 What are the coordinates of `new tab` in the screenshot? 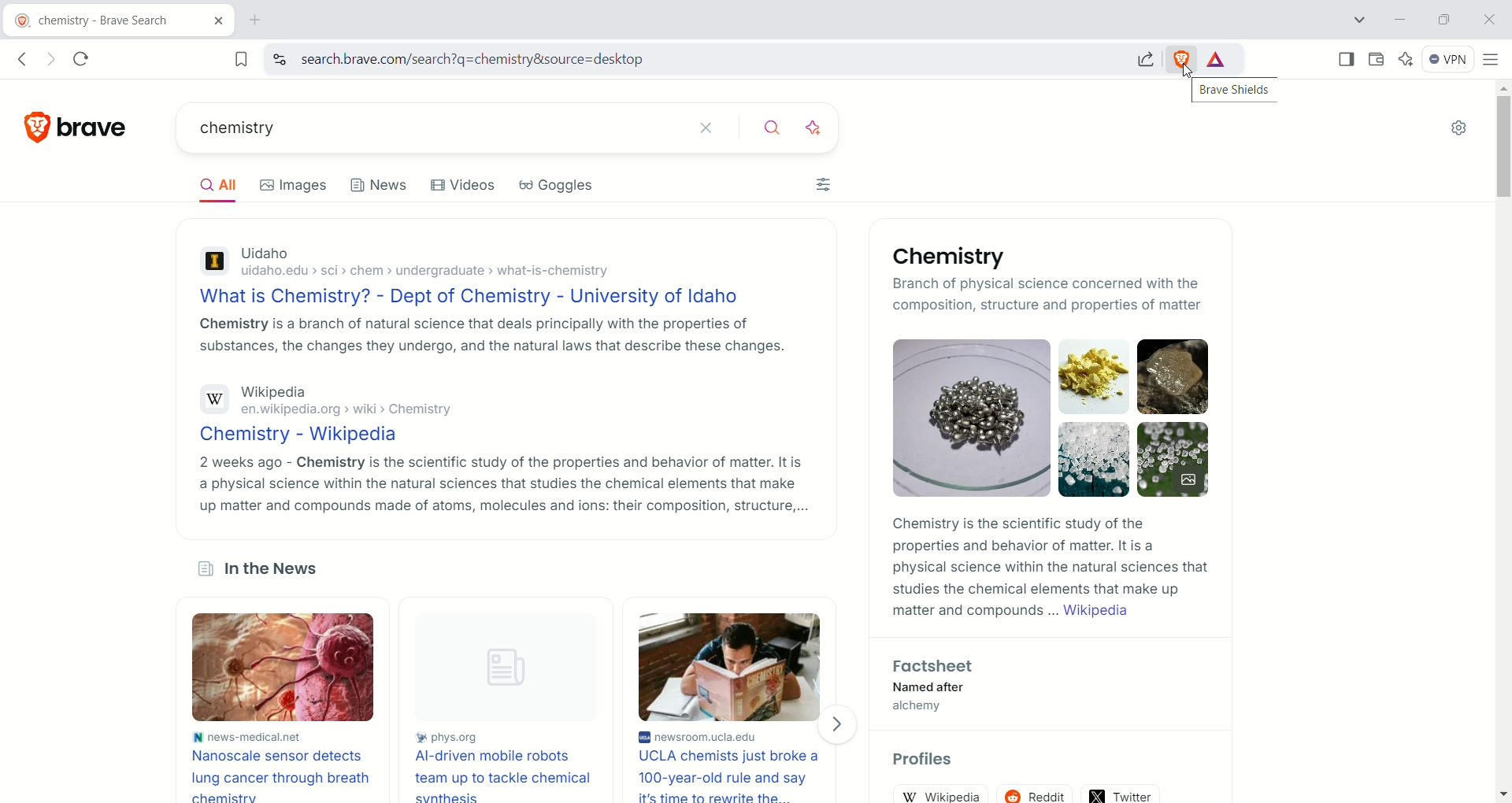 It's located at (264, 20).